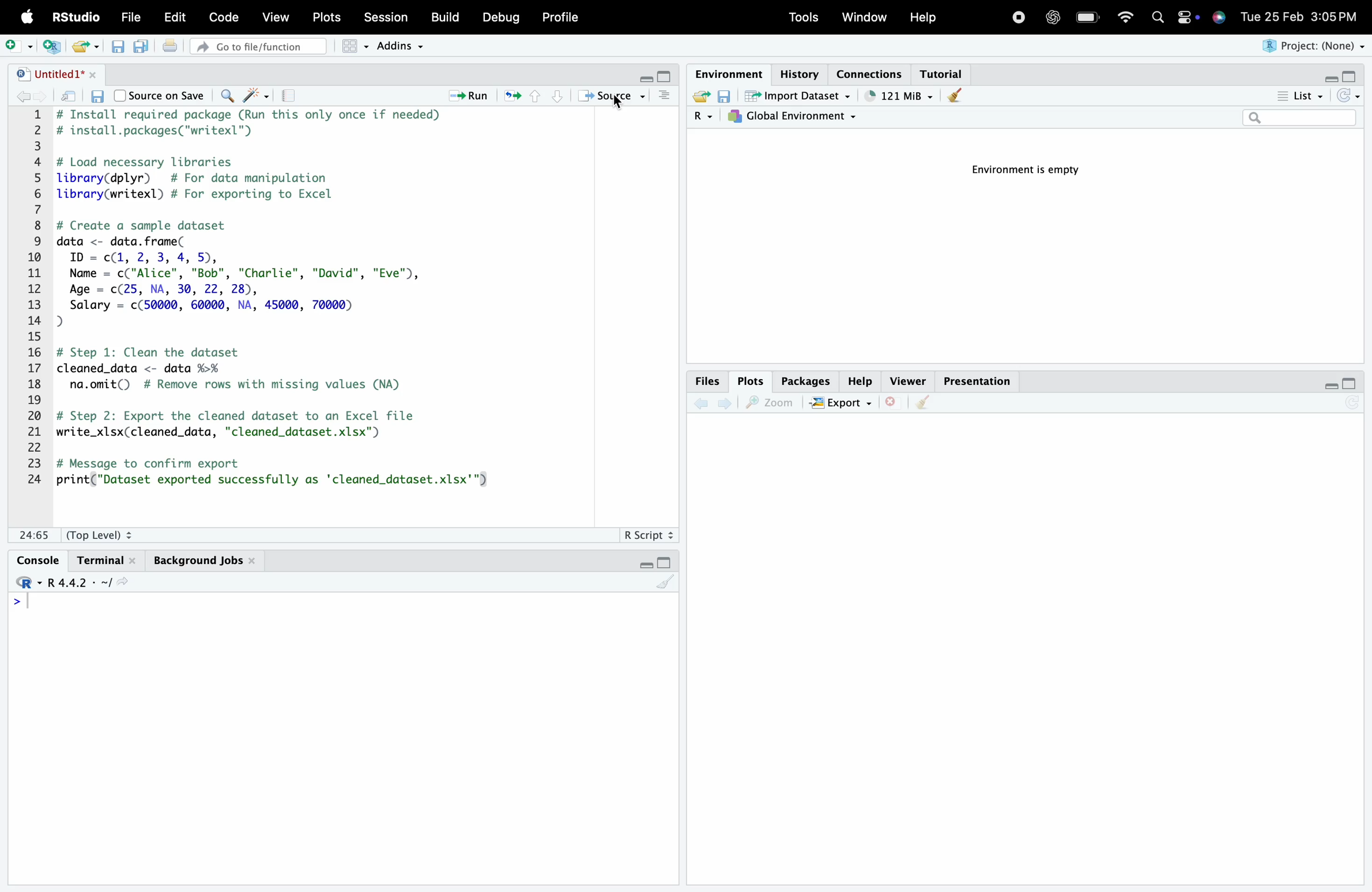  I want to click on Tools, so click(805, 18).